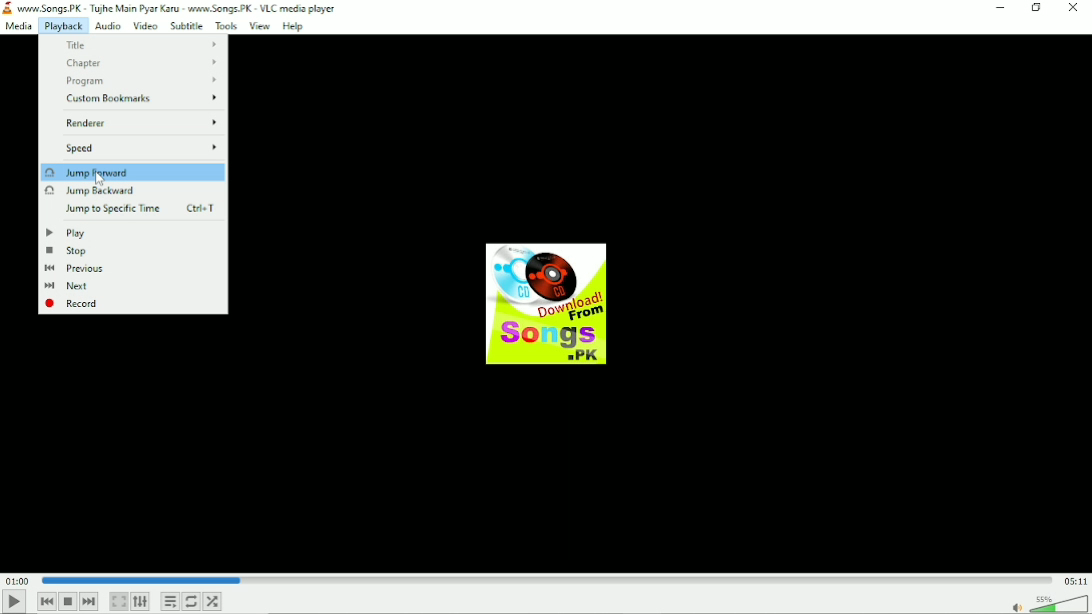  I want to click on Random, so click(212, 602).